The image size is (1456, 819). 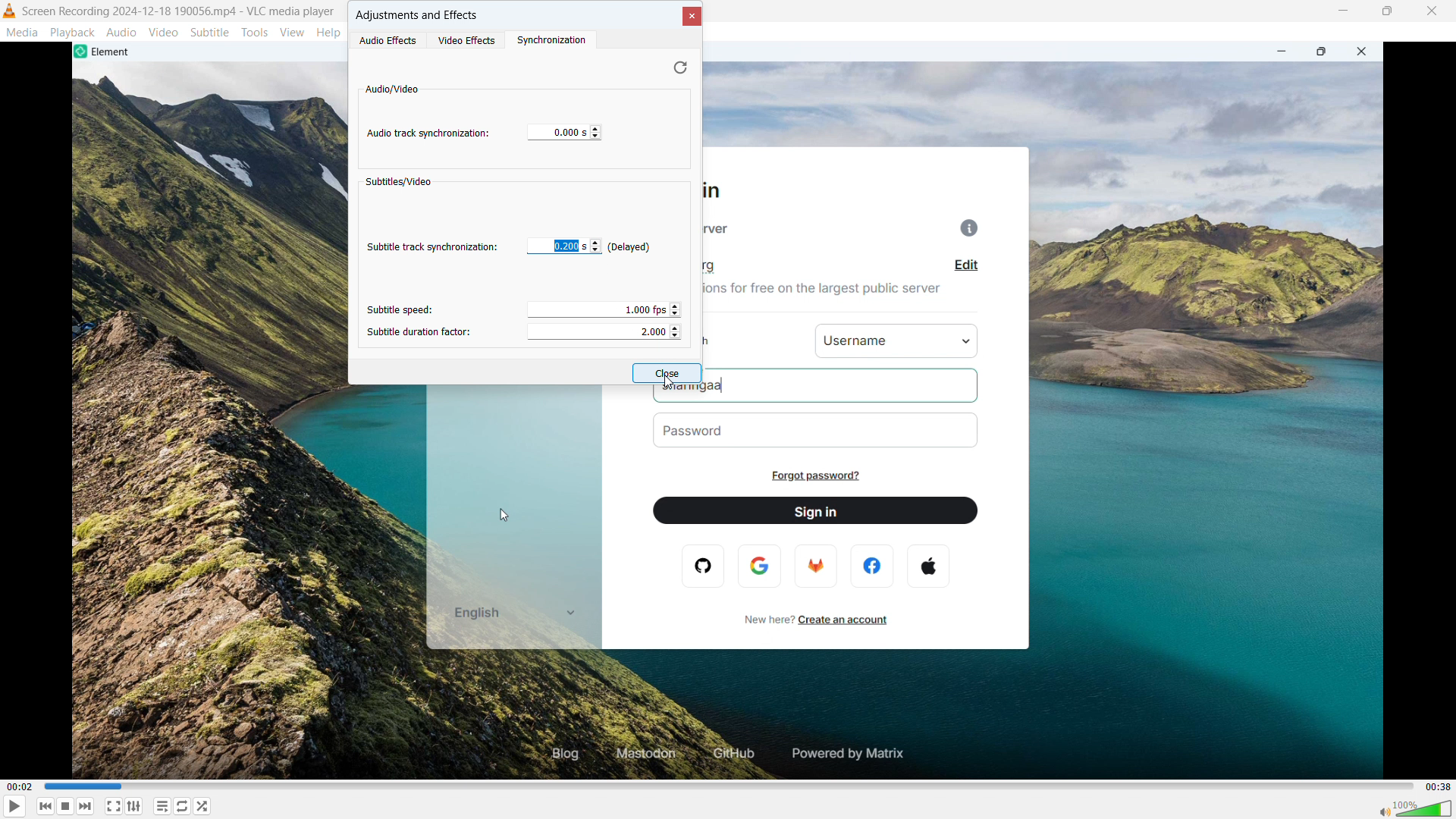 What do you see at coordinates (209, 32) in the screenshot?
I see `subtitle` at bounding box center [209, 32].